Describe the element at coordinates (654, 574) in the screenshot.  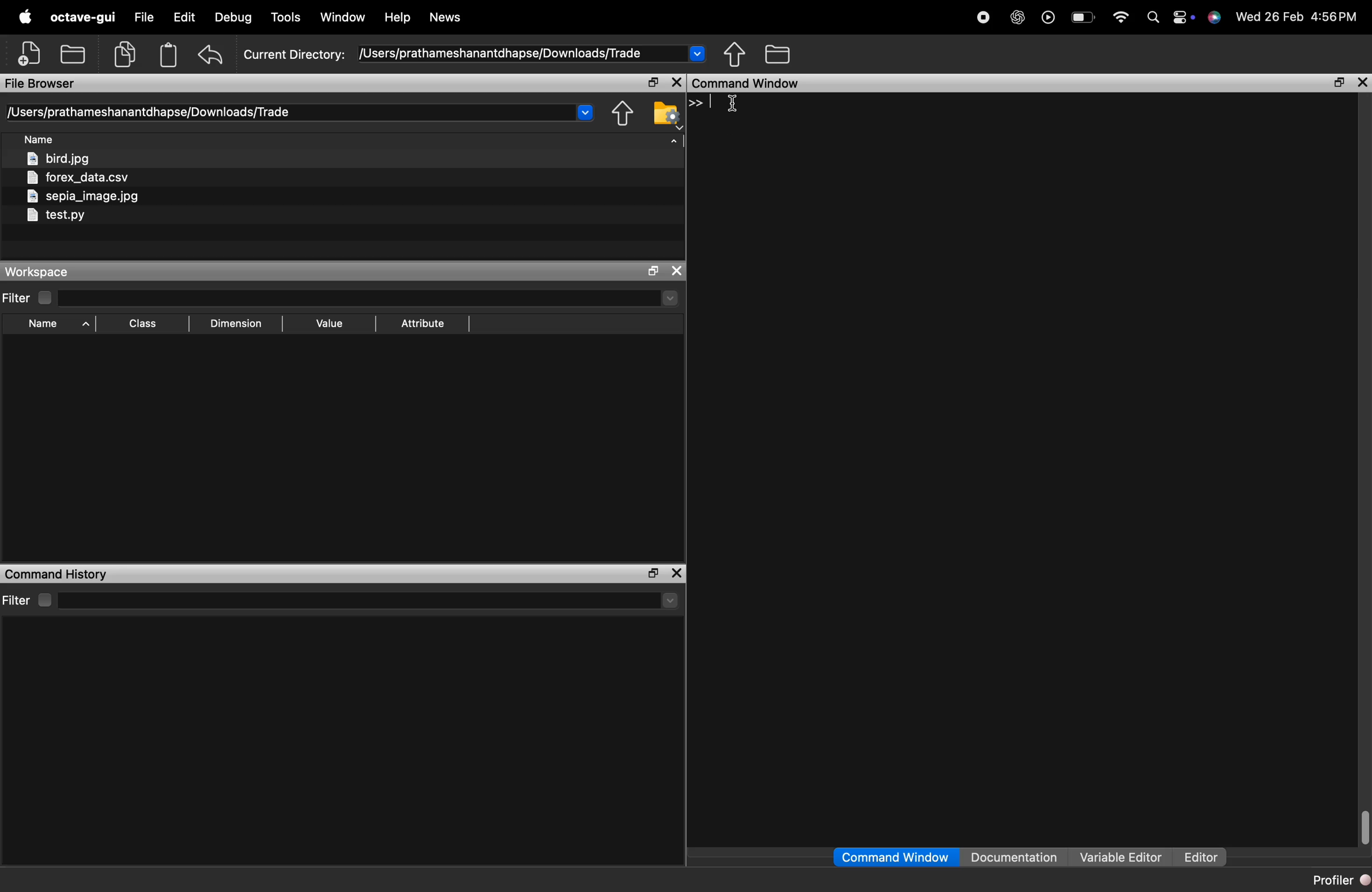
I see `separate the window` at that location.